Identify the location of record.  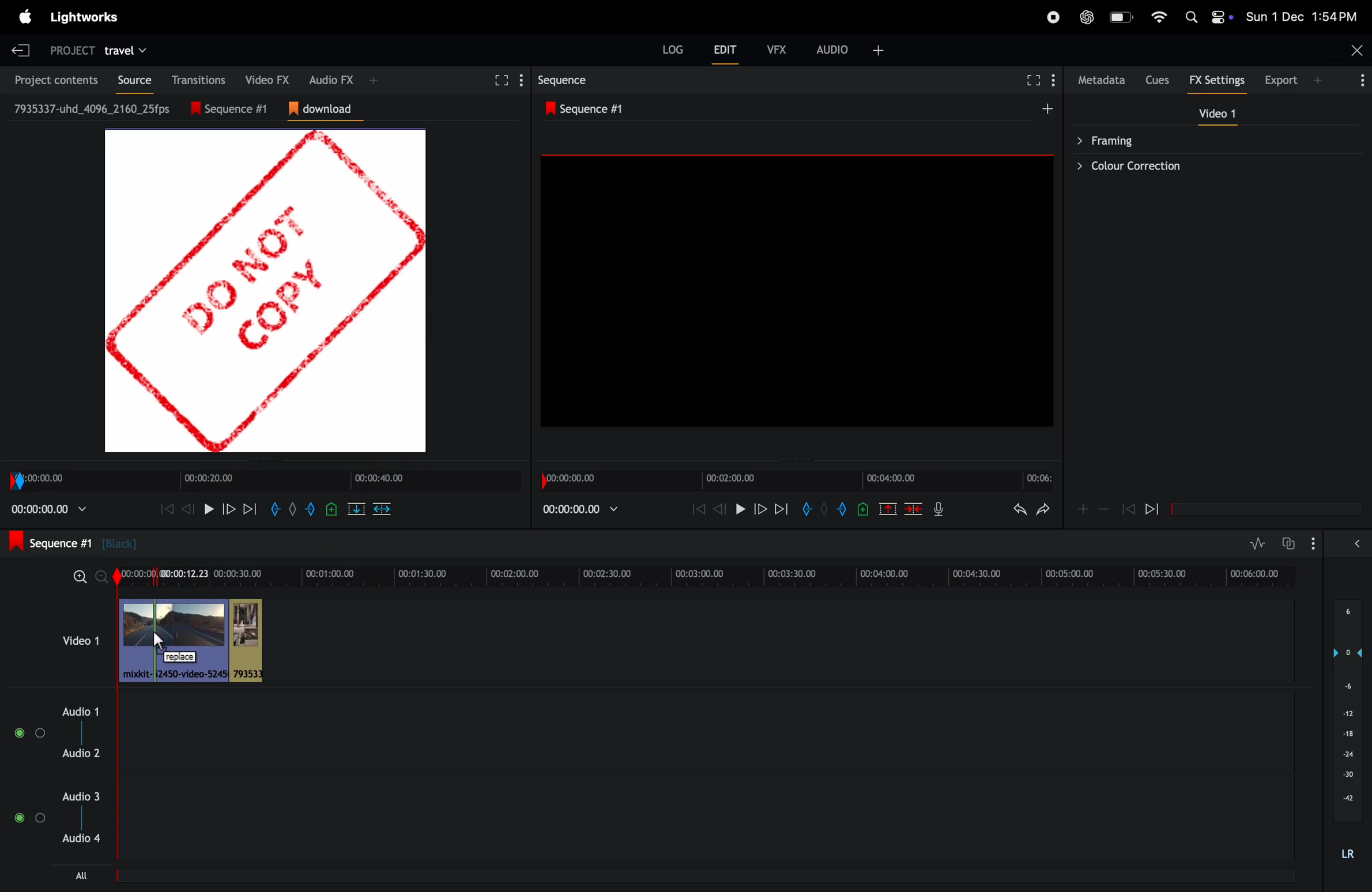
(1053, 17).